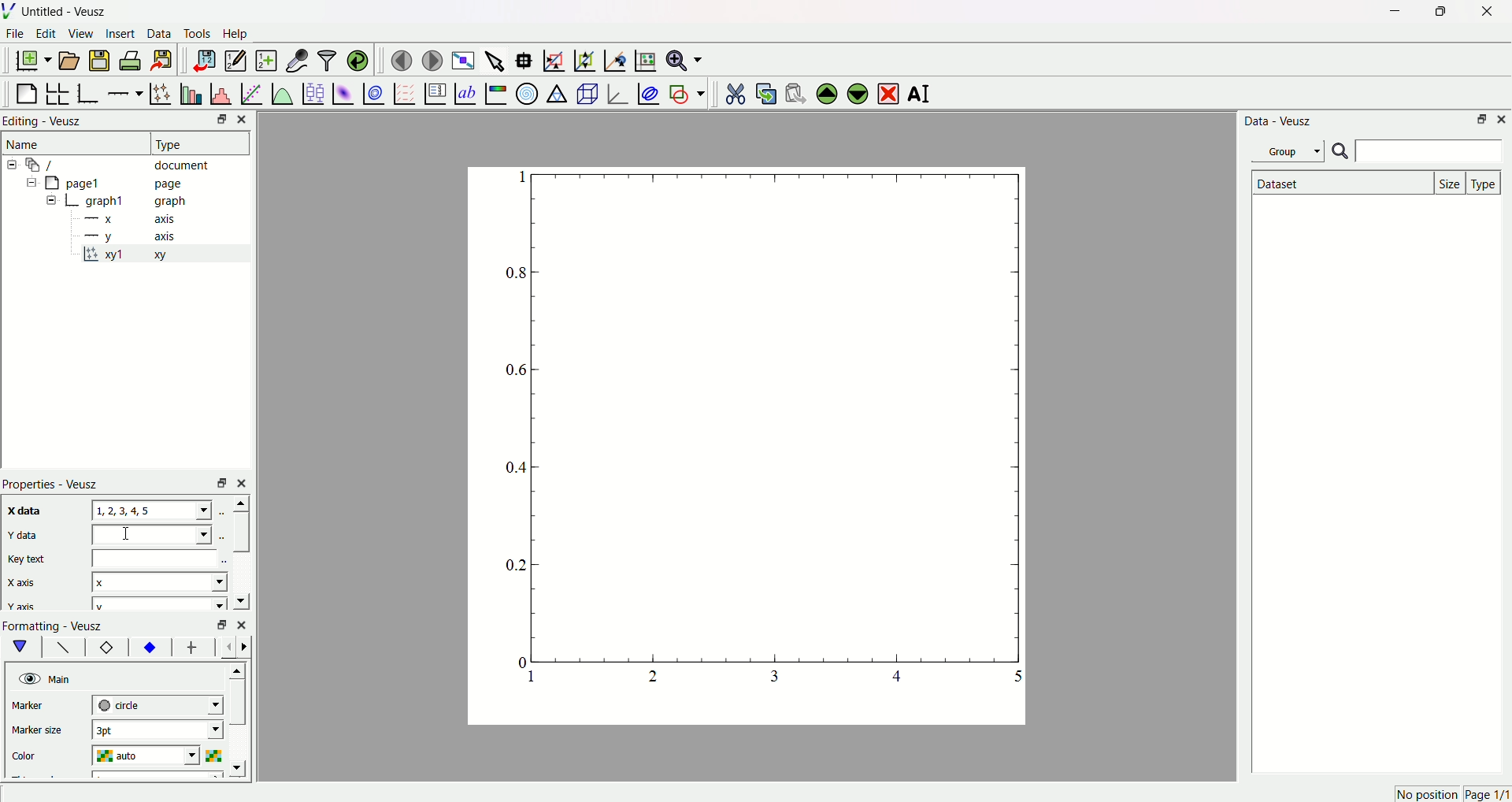 The height and width of the screenshot is (802, 1512). What do you see at coordinates (343, 92) in the screenshot?
I see `plot 2 d datasets as image` at bounding box center [343, 92].